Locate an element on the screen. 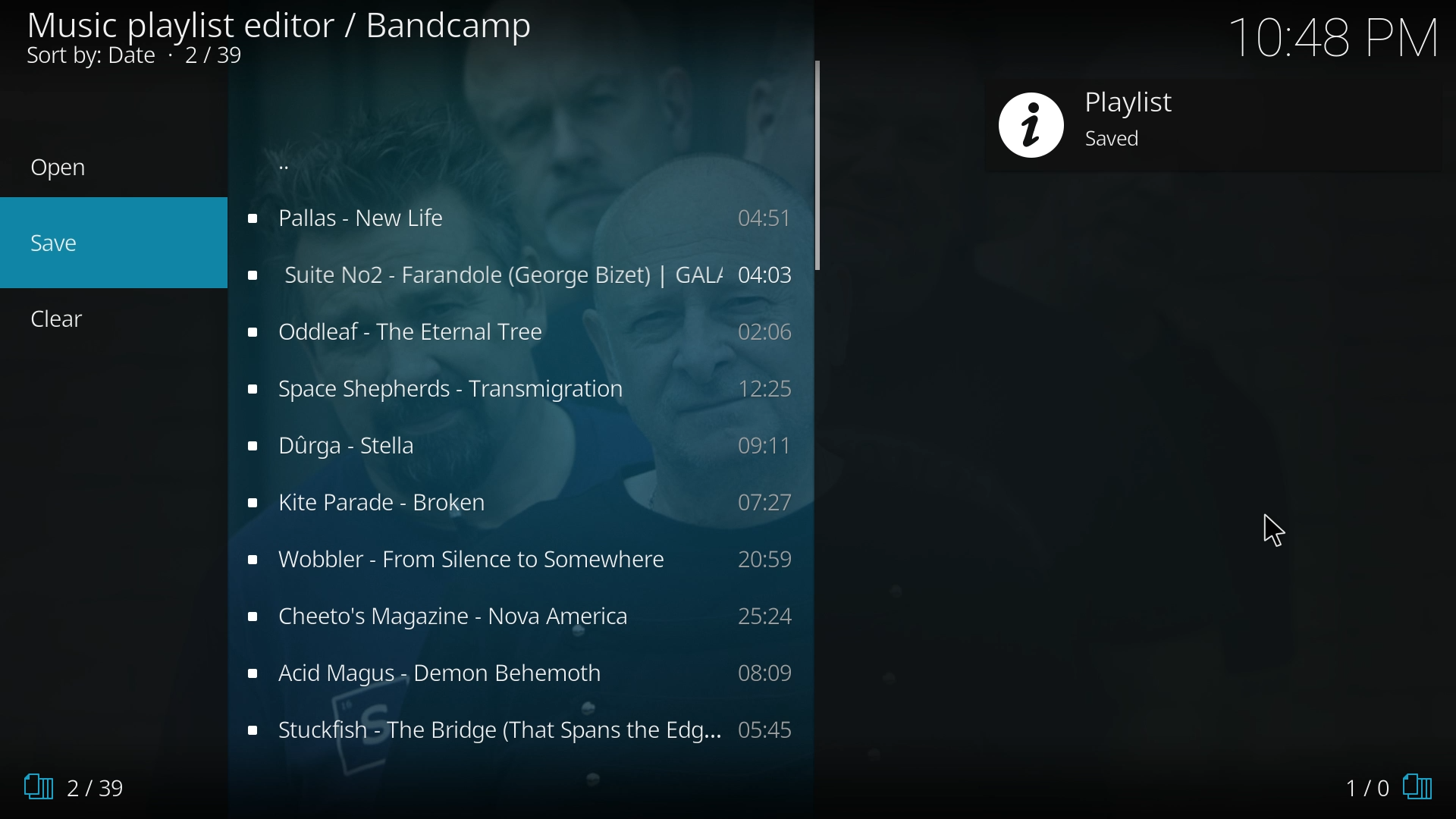  song is located at coordinates (519, 331).